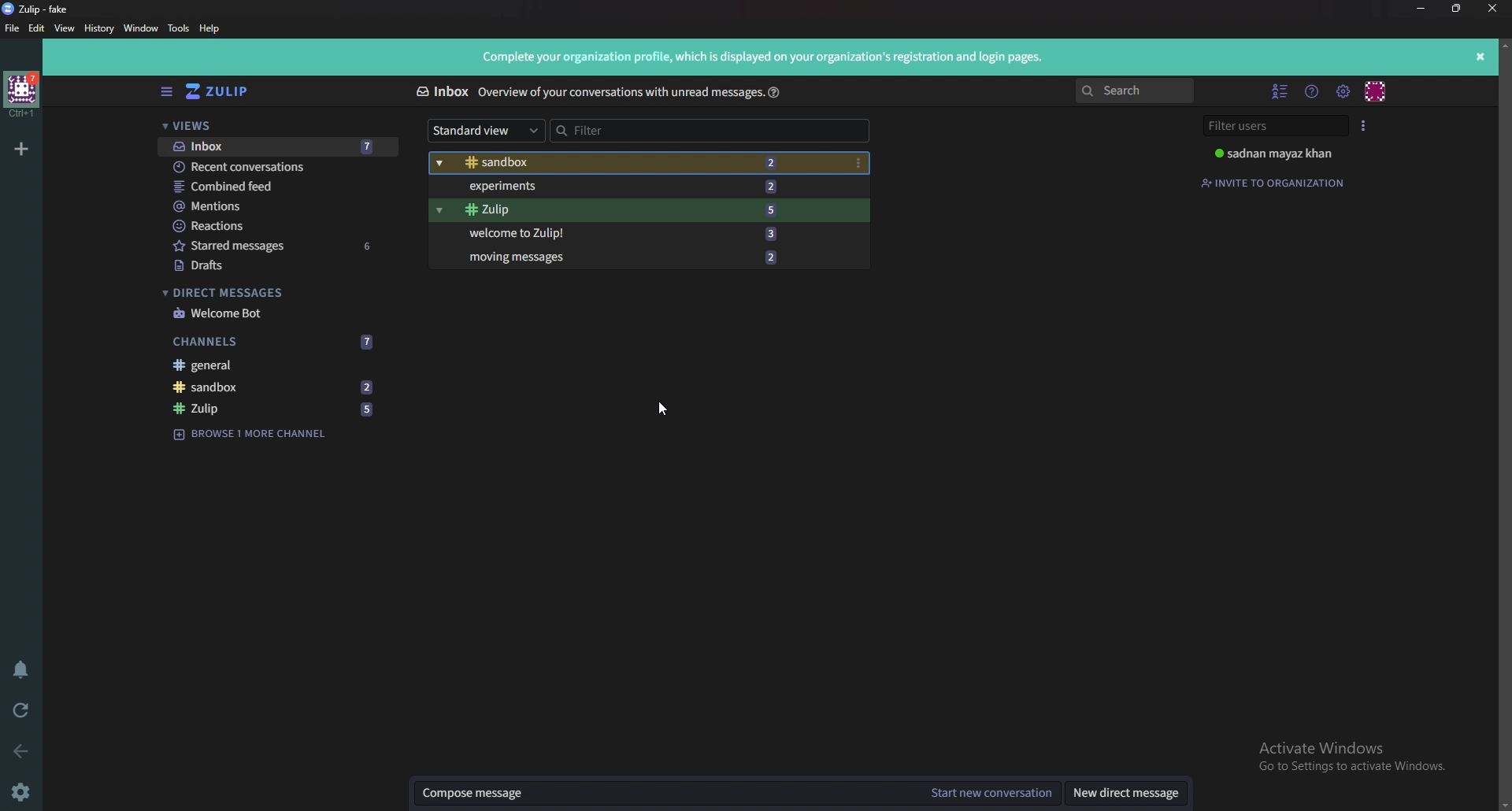  I want to click on Enable do not disturb, so click(22, 672).